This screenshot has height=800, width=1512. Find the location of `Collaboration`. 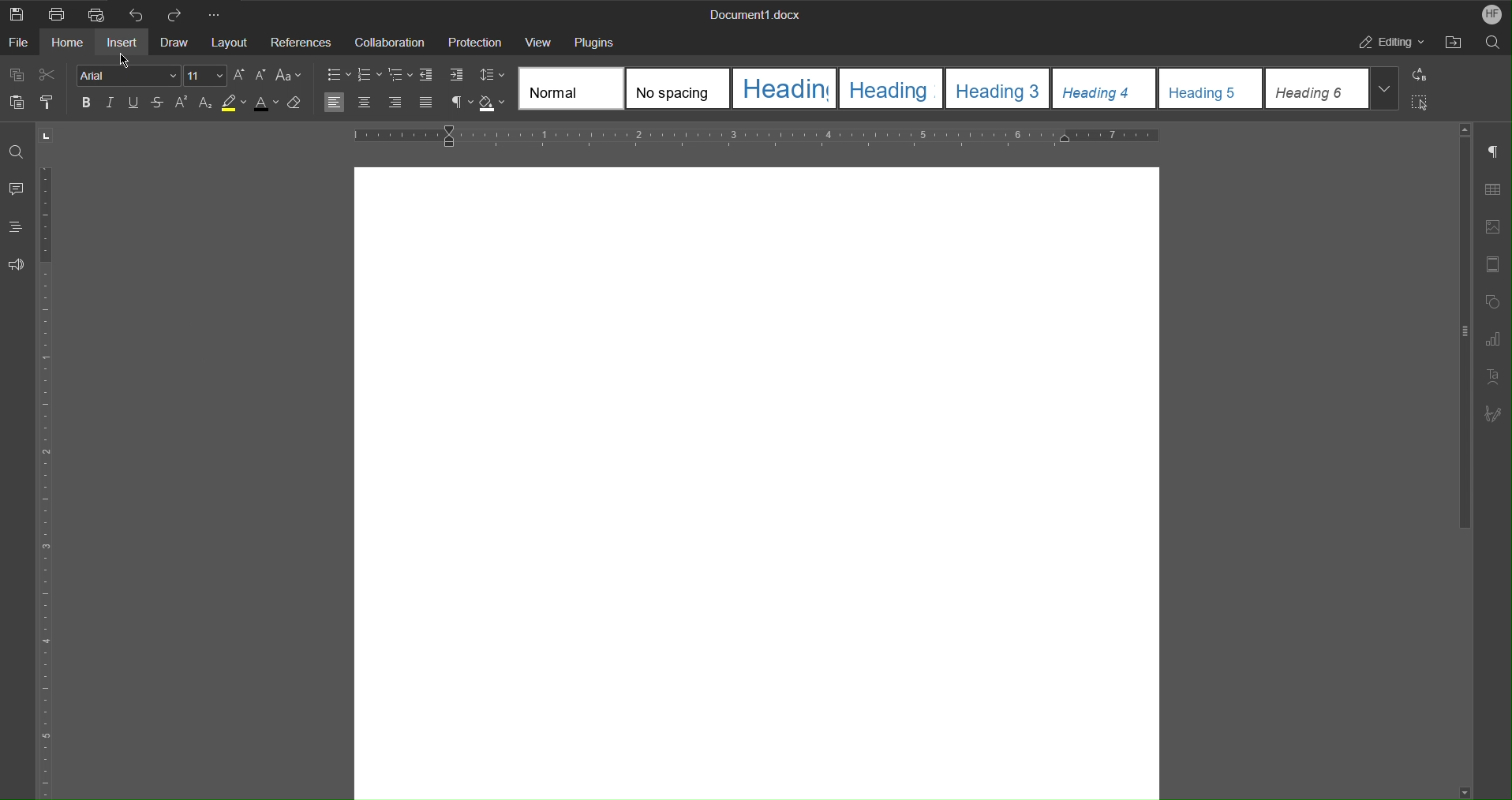

Collaboration is located at coordinates (392, 42).